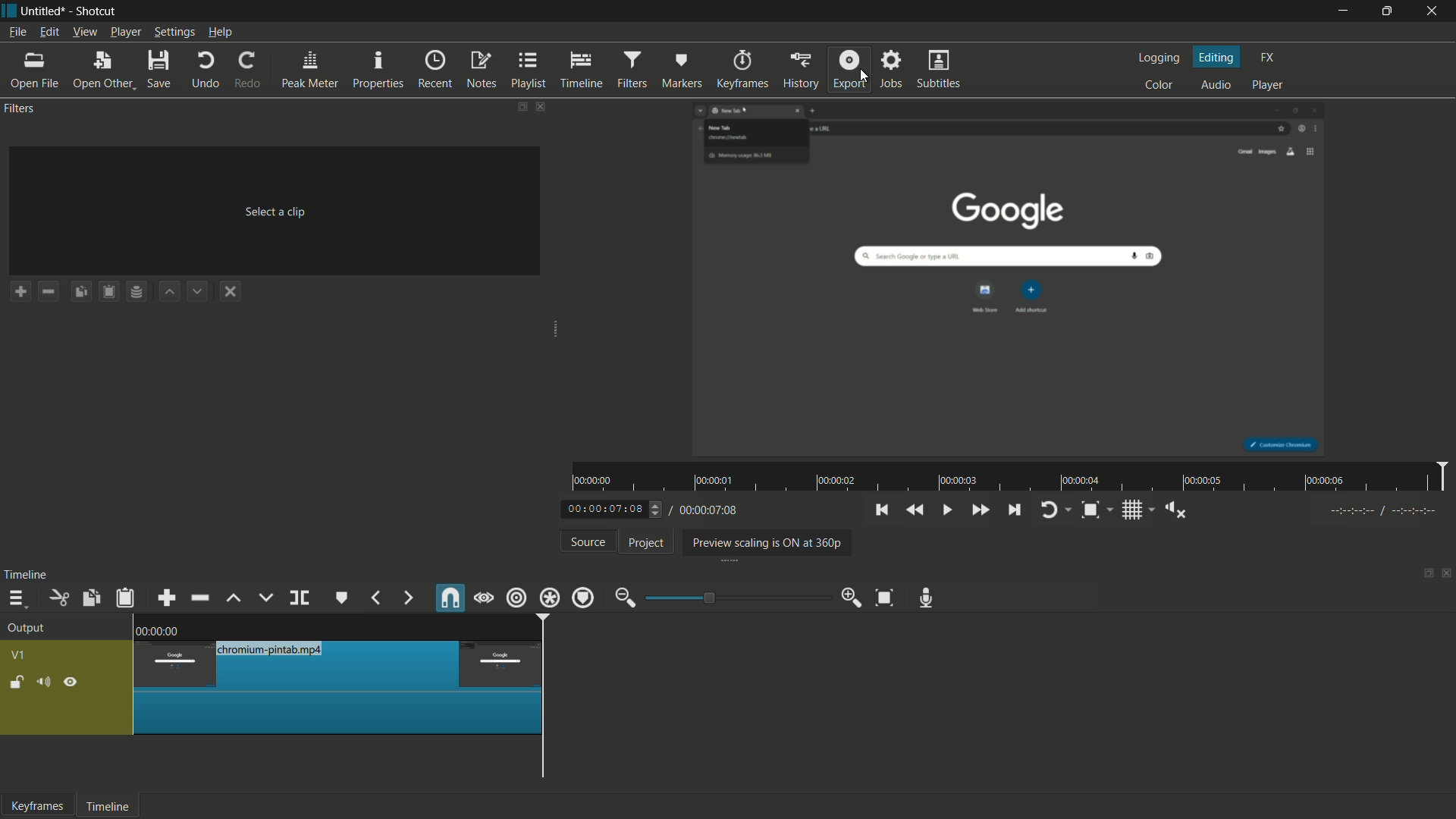 Image resolution: width=1456 pixels, height=819 pixels. What do you see at coordinates (230, 291) in the screenshot?
I see `deselect a filter` at bounding box center [230, 291].